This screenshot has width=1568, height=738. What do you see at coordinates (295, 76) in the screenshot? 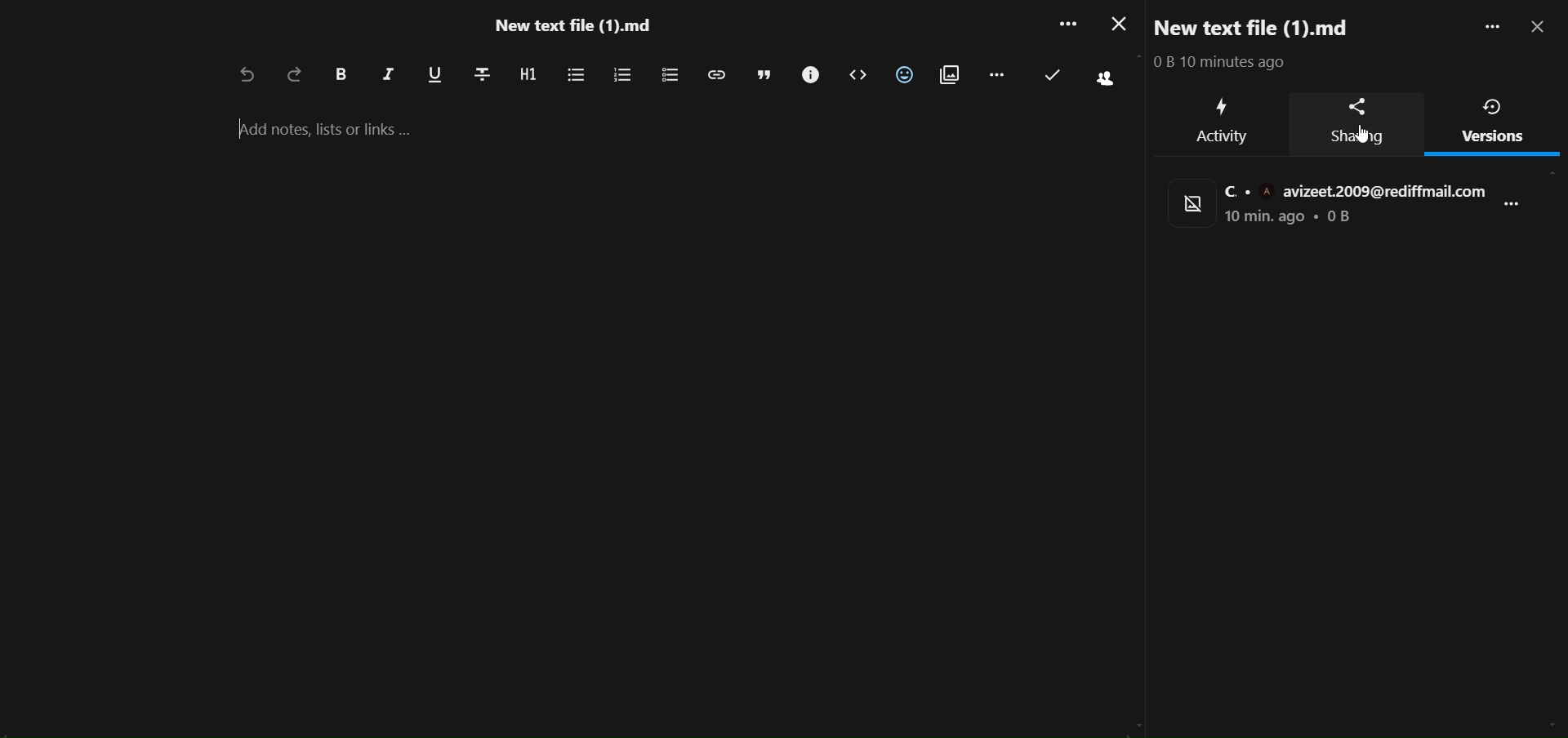
I see `redo` at bounding box center [295, 76].